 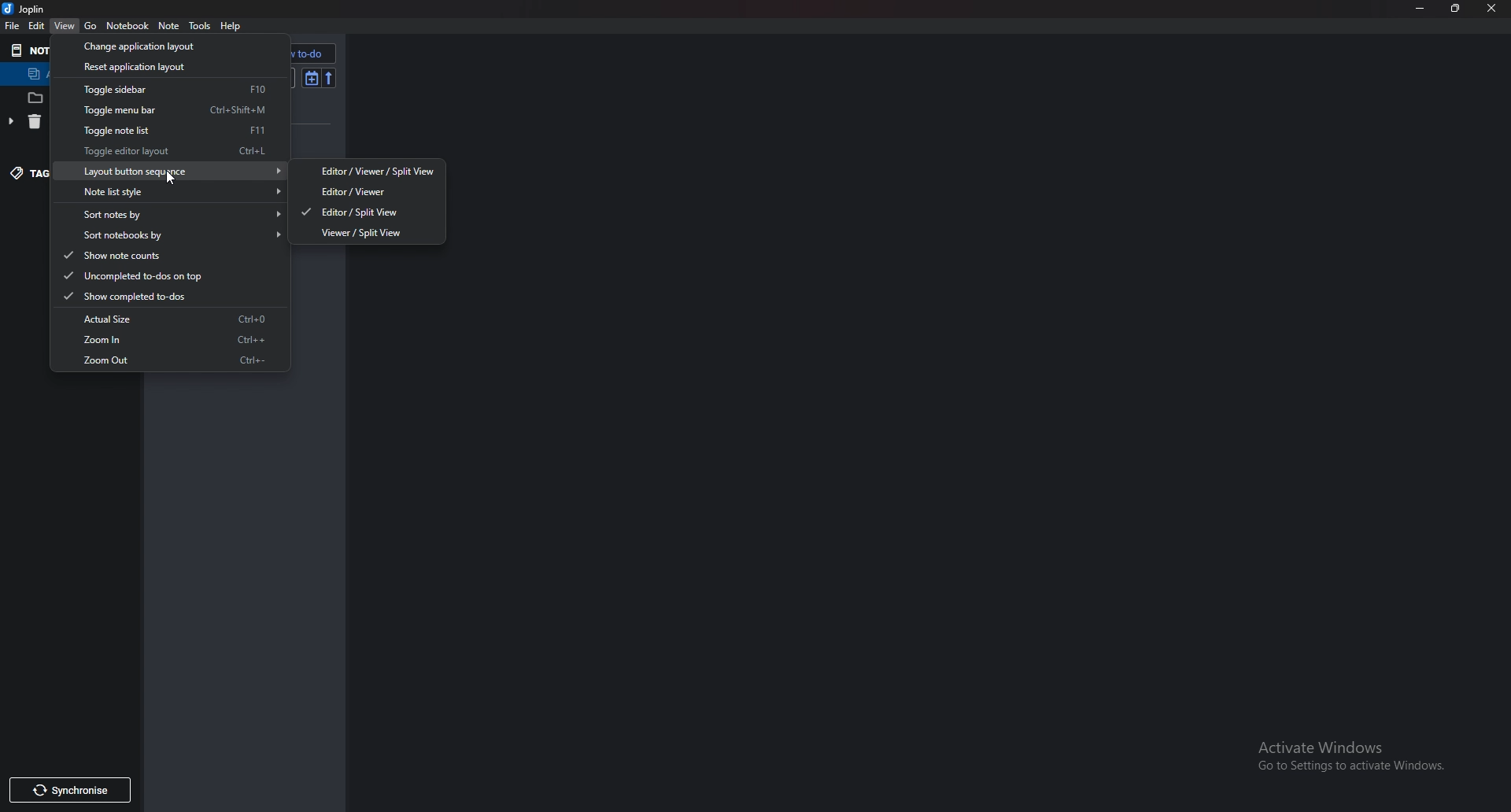 I want to click on cursor, so click(x=172, y=172).